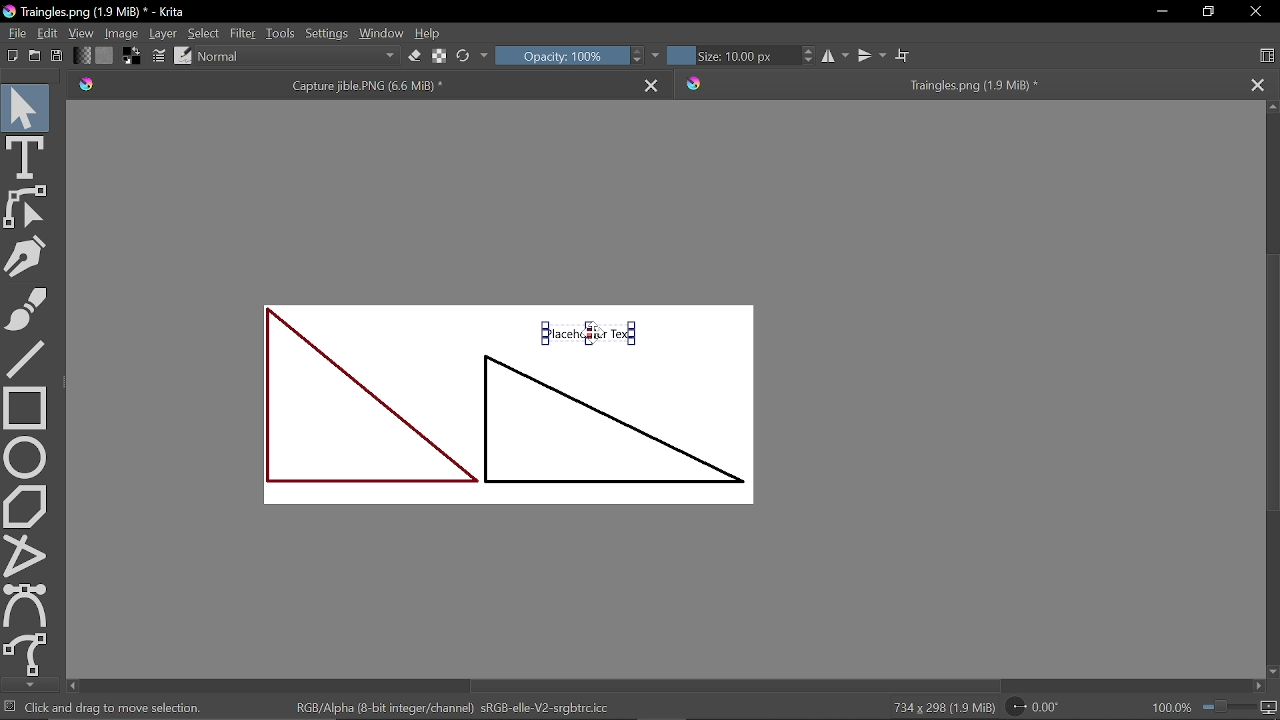 This screenshot has height=720, width=1280. I want to click on Eraser, so click(413, 56).